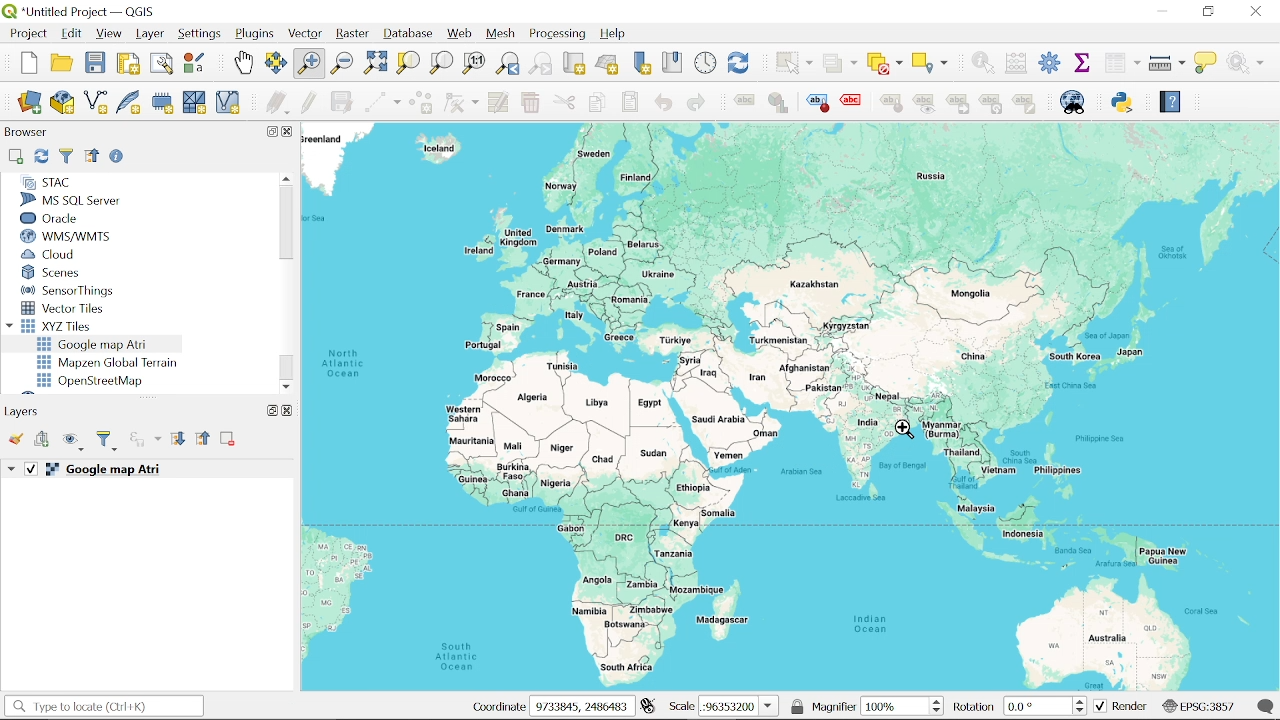 This screenshot has height=720, width=1280. I want to click on Minimize, so click(1159, 10).